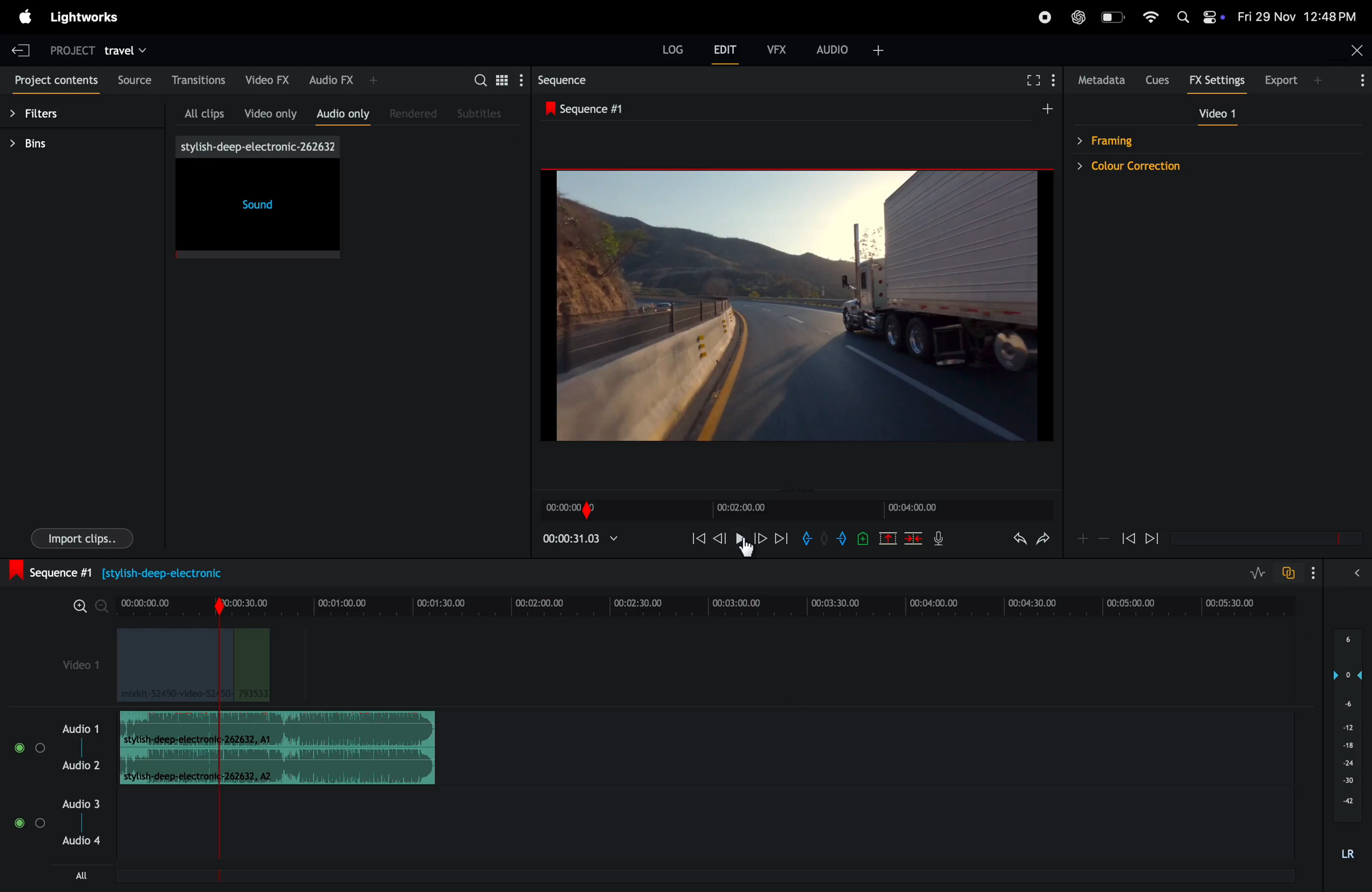  Describe the element at coordinates (1044, 542) in the screenshot. I see `redo` at that location.